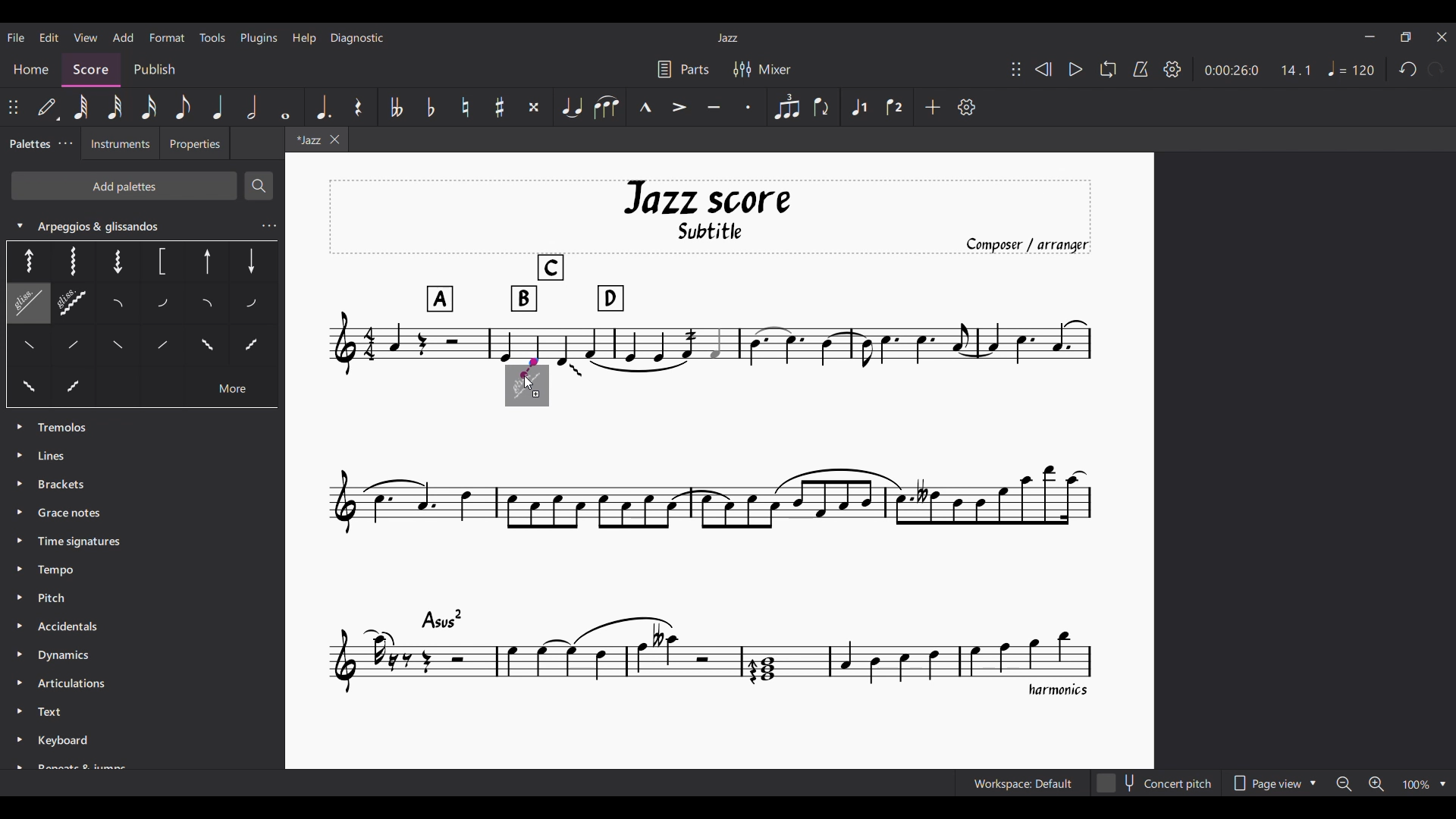 This screenshot has width=1456, height=819. Describe the element at coordinates (1043, 69) in the screenshot. I see `Rewind` at that location.